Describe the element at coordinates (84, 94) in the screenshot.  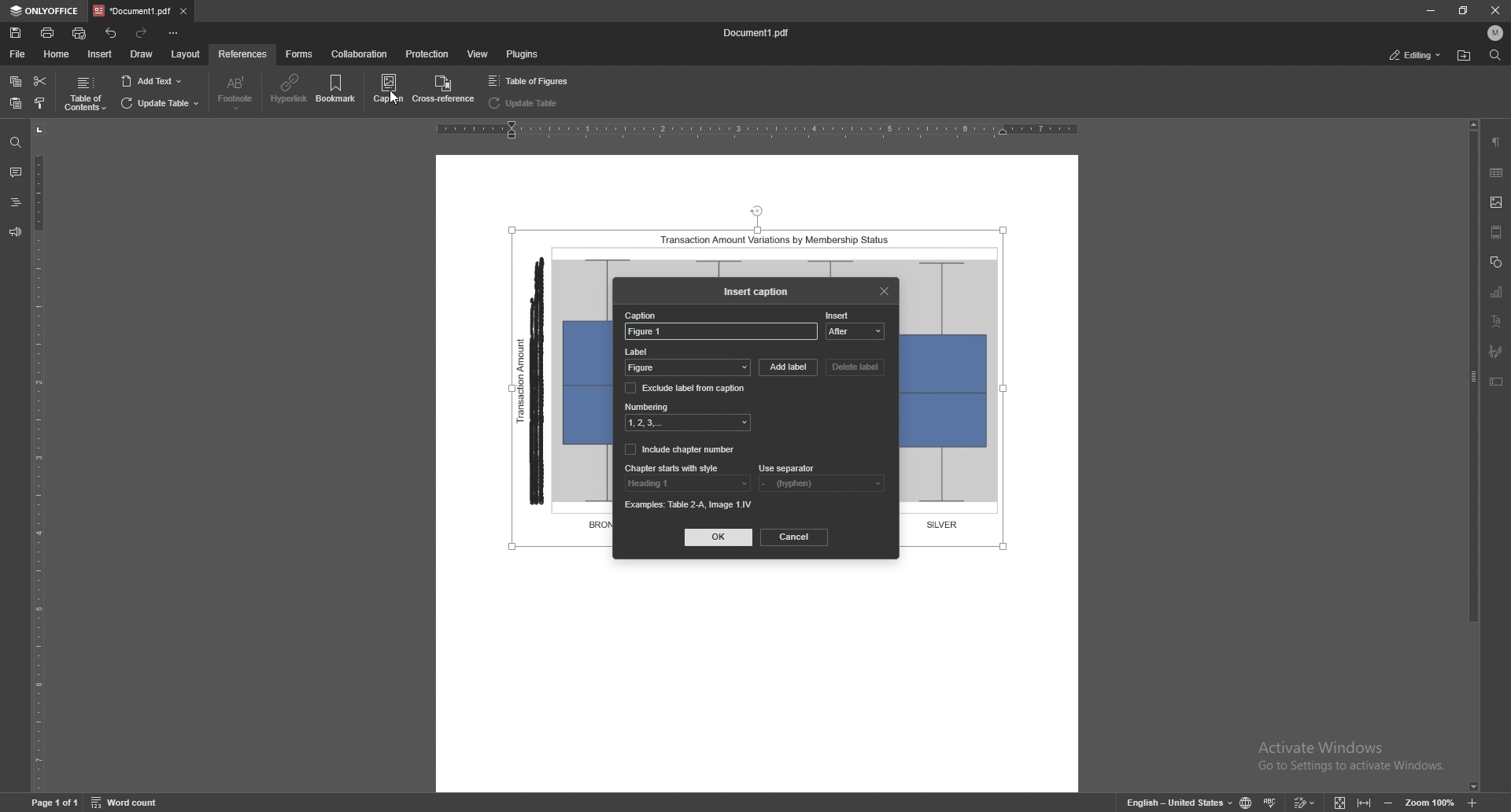
I see `table of contents` at that location.